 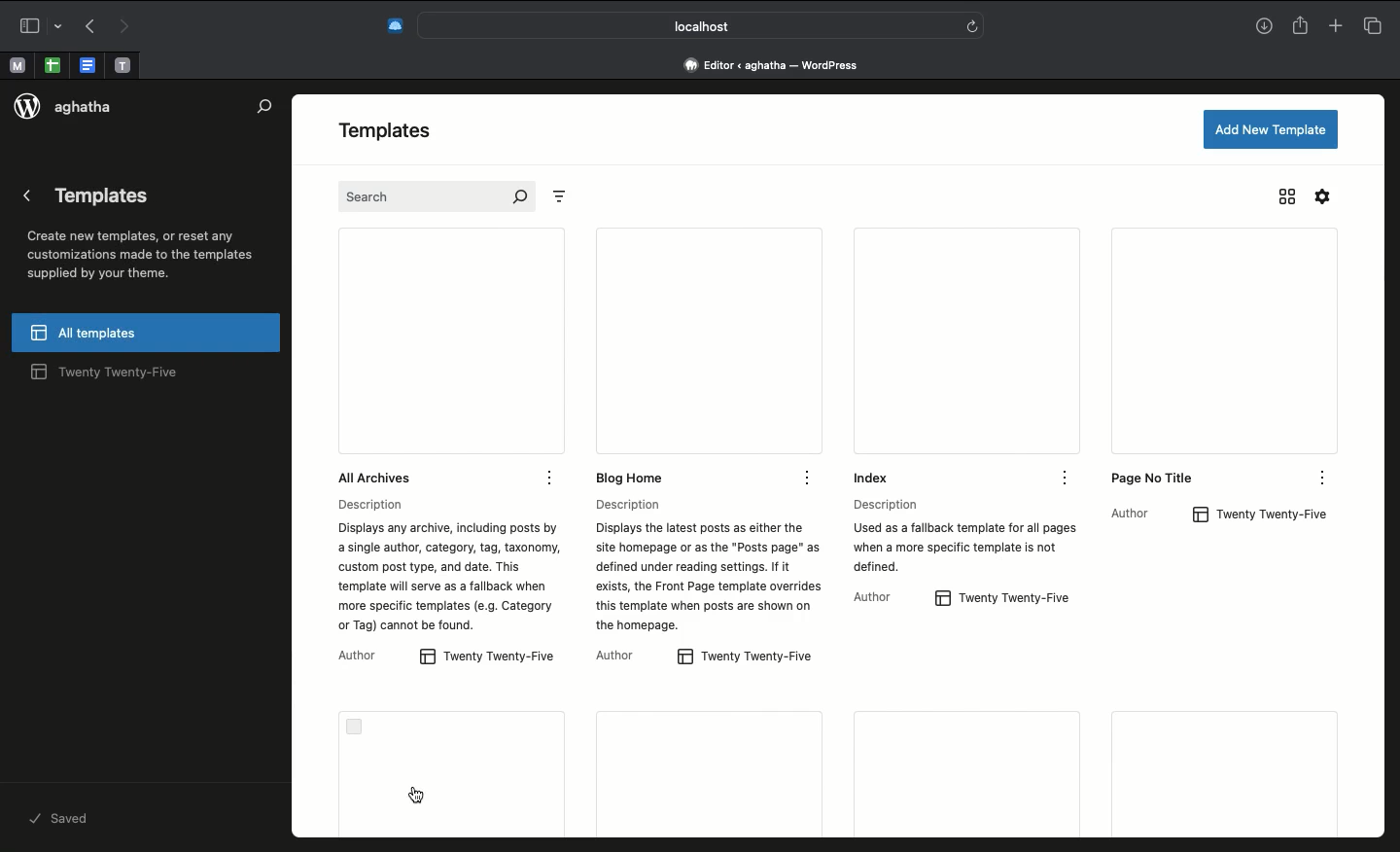 What do you see at coordinates (451, 775) in the screenshot?
I see `Error code` at bounding box center [451, 775].